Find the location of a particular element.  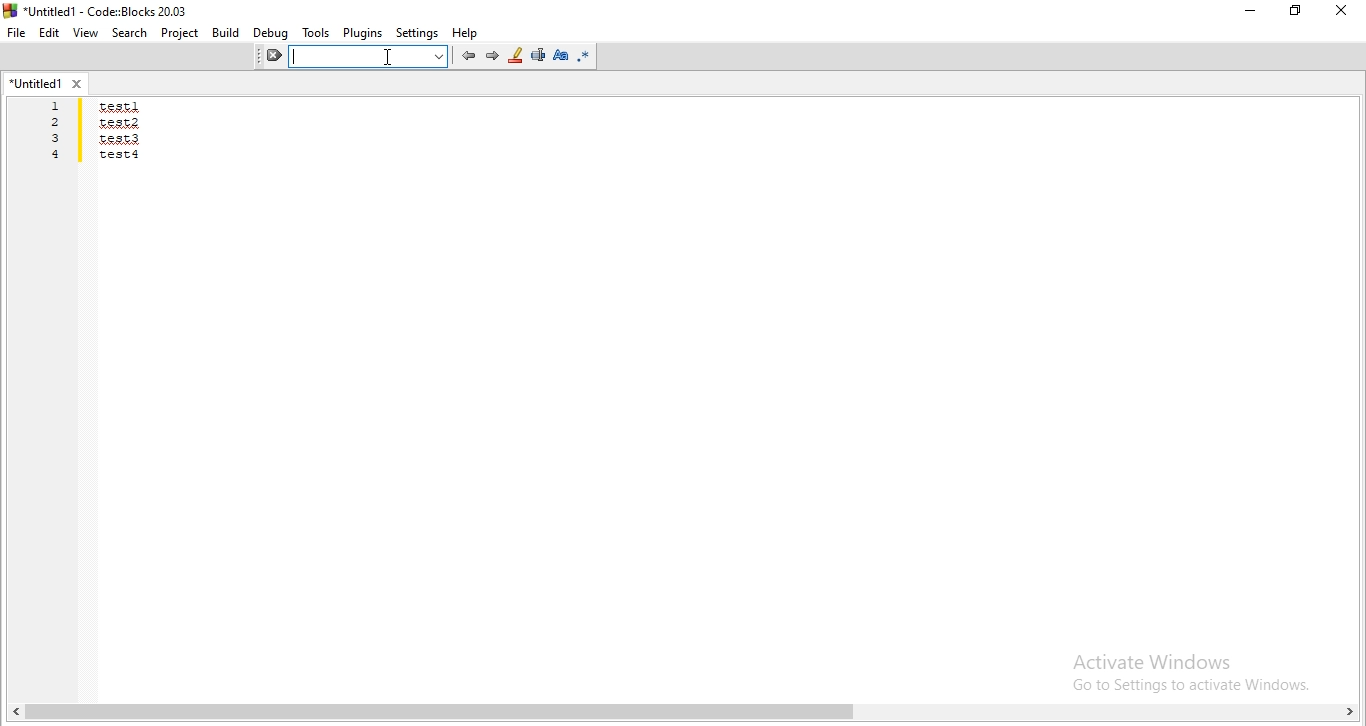

Plugins is located at coordinates (362, 33).